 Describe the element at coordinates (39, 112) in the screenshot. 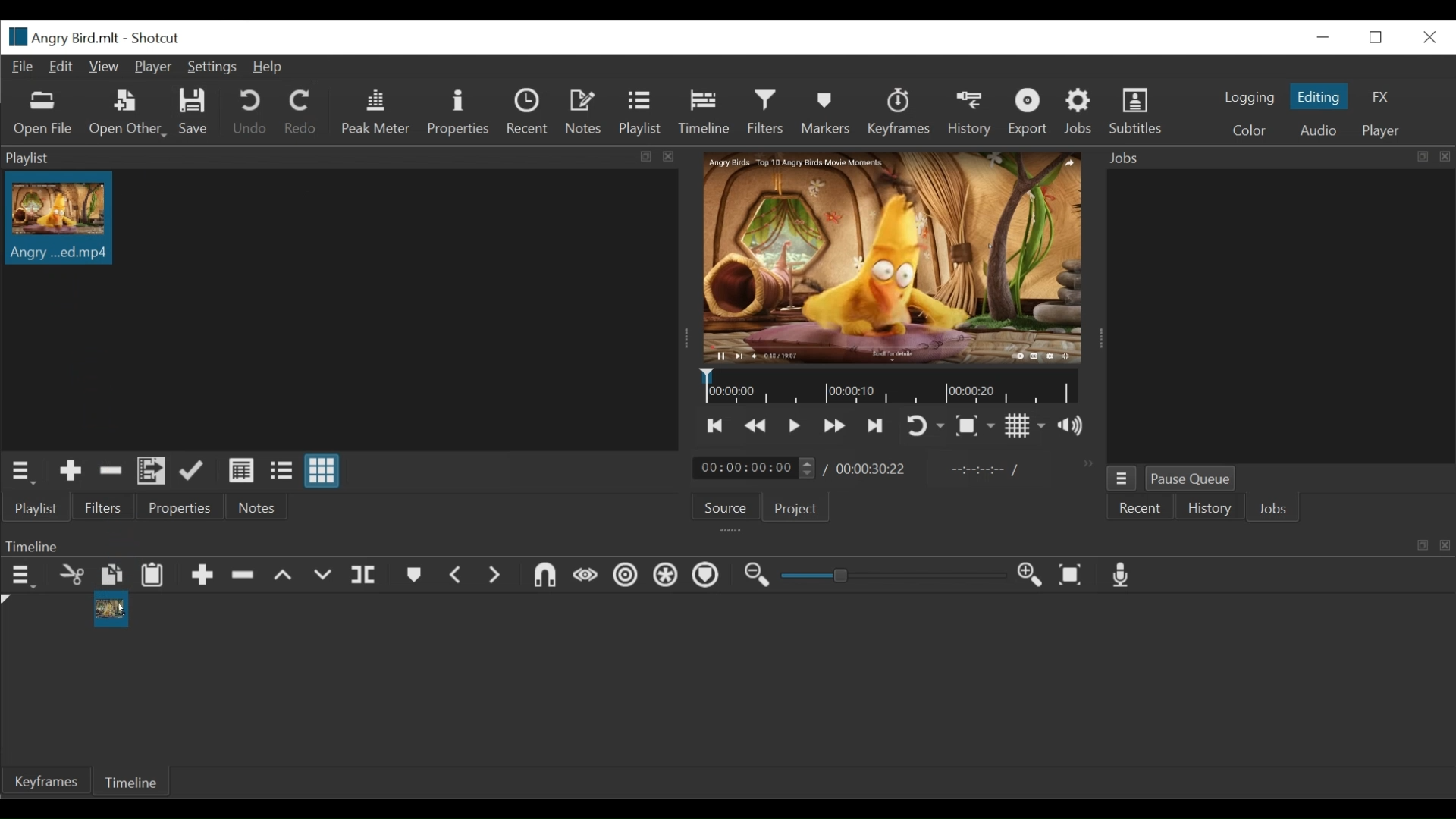

I see `Open File` at that location.